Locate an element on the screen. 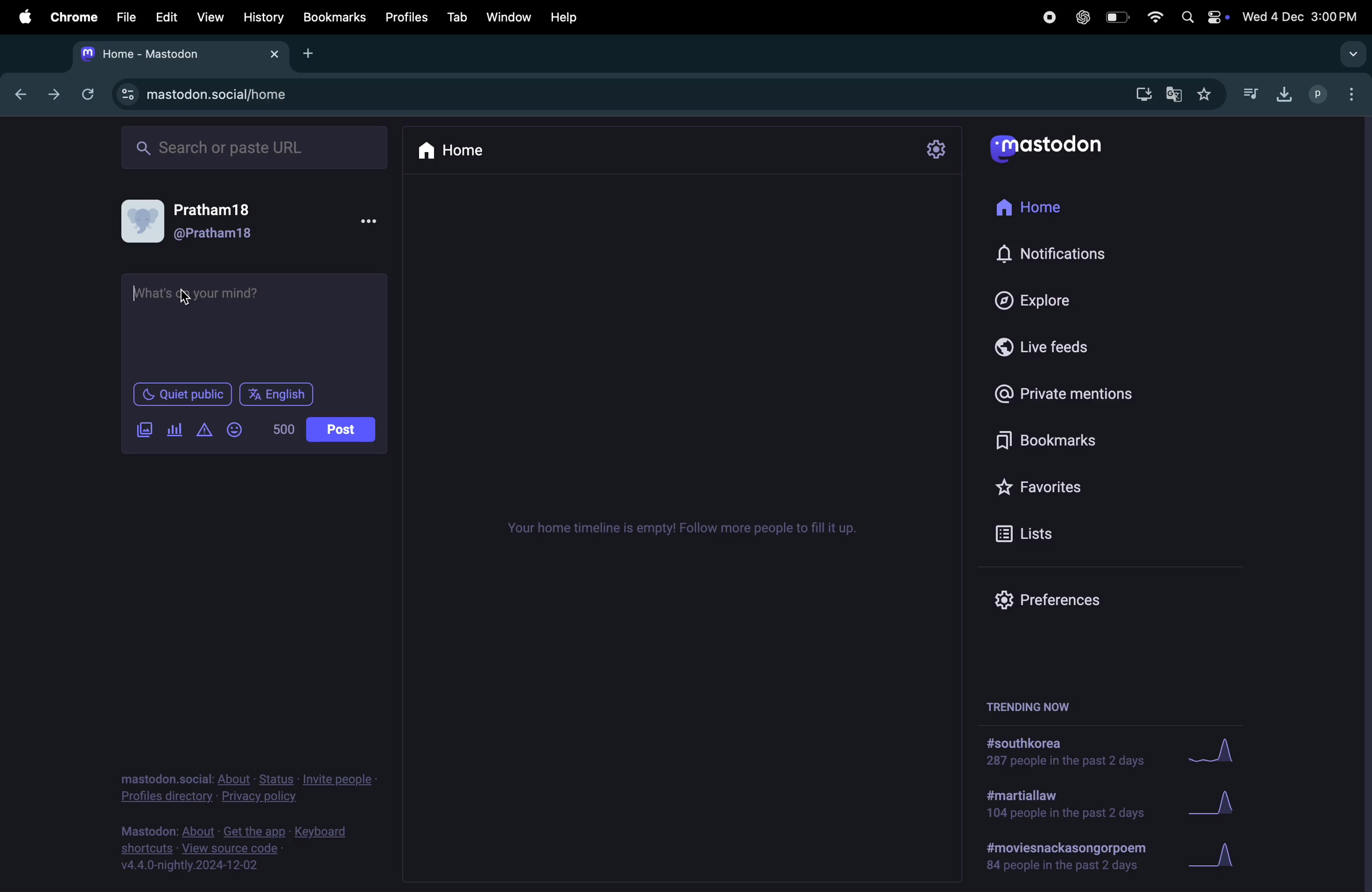 This screenshot has height=892, width=1372. apple menu is located at coordinates (21, 17).